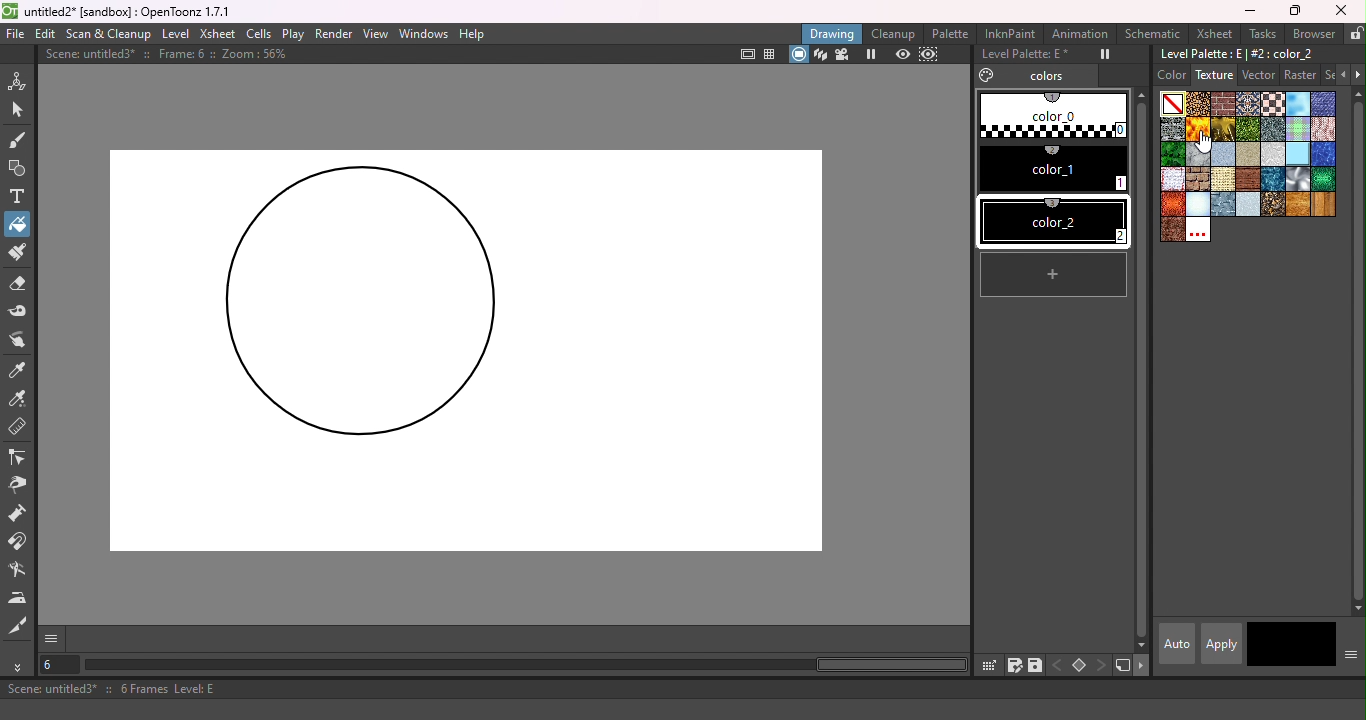  Describe the element at coordinates (1199, 204) in the screenshot. I see `snow.bmp` at that location.